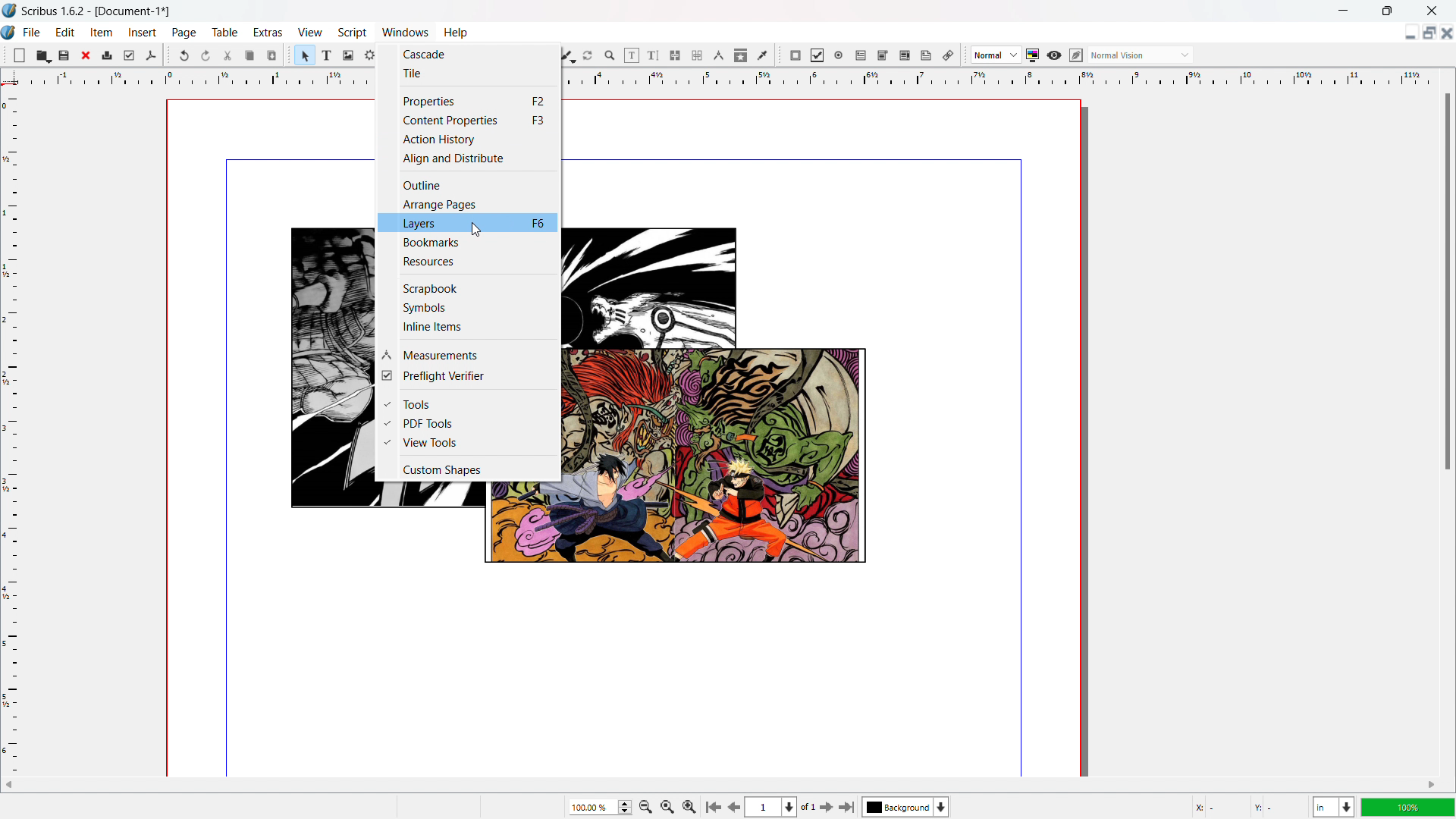 This screenshot has height=819, width=1456. What do you see at coordinates (20, 55) in the screenshot?
I see `new` at bounding box center [20, 55].